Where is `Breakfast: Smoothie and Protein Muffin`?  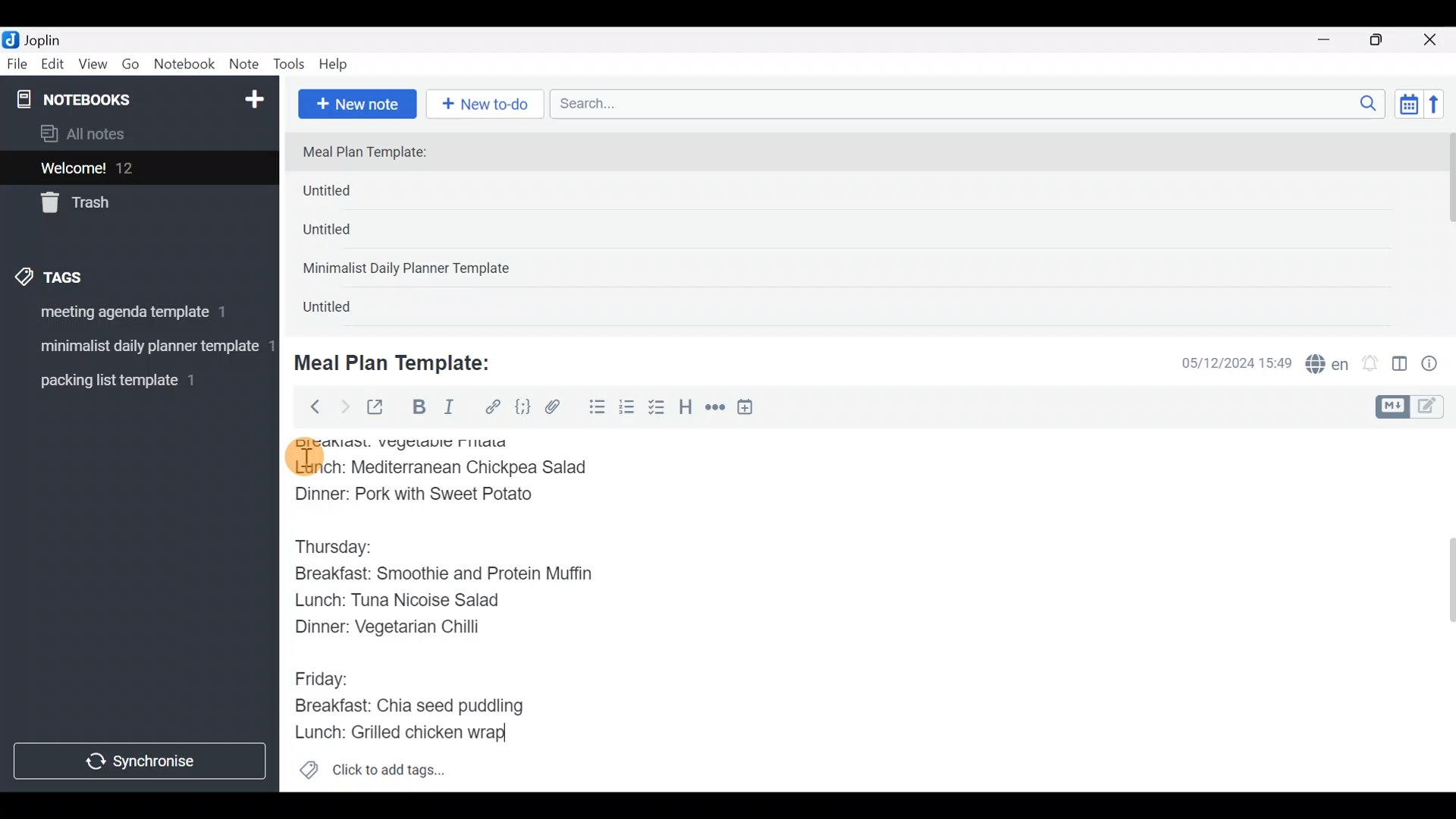 Breakfast: Smoothie and Protein Muffin is located at coordinates (447, 577).